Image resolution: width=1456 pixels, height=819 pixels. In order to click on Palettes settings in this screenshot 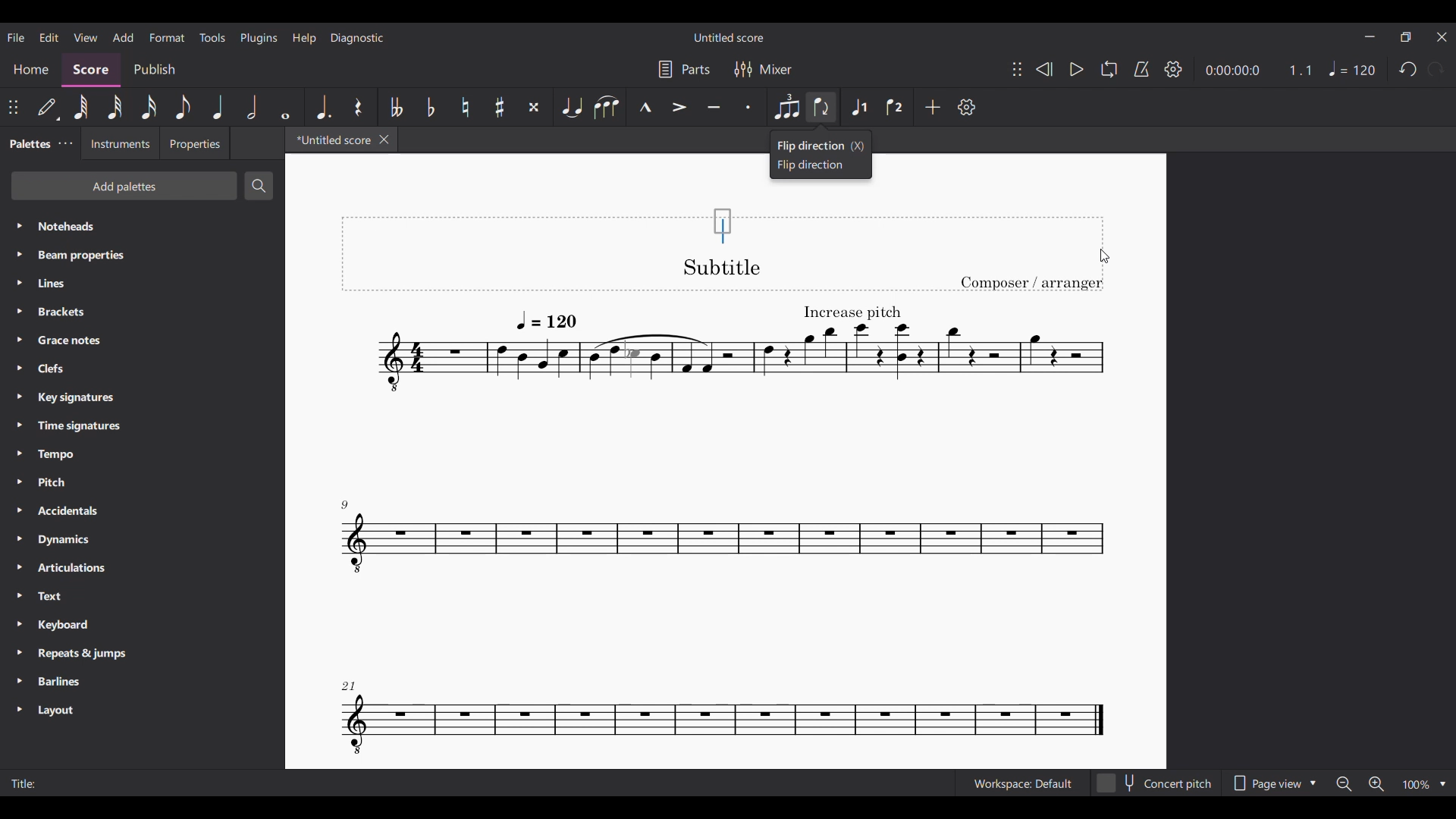, I will do `click(66, 143)`.